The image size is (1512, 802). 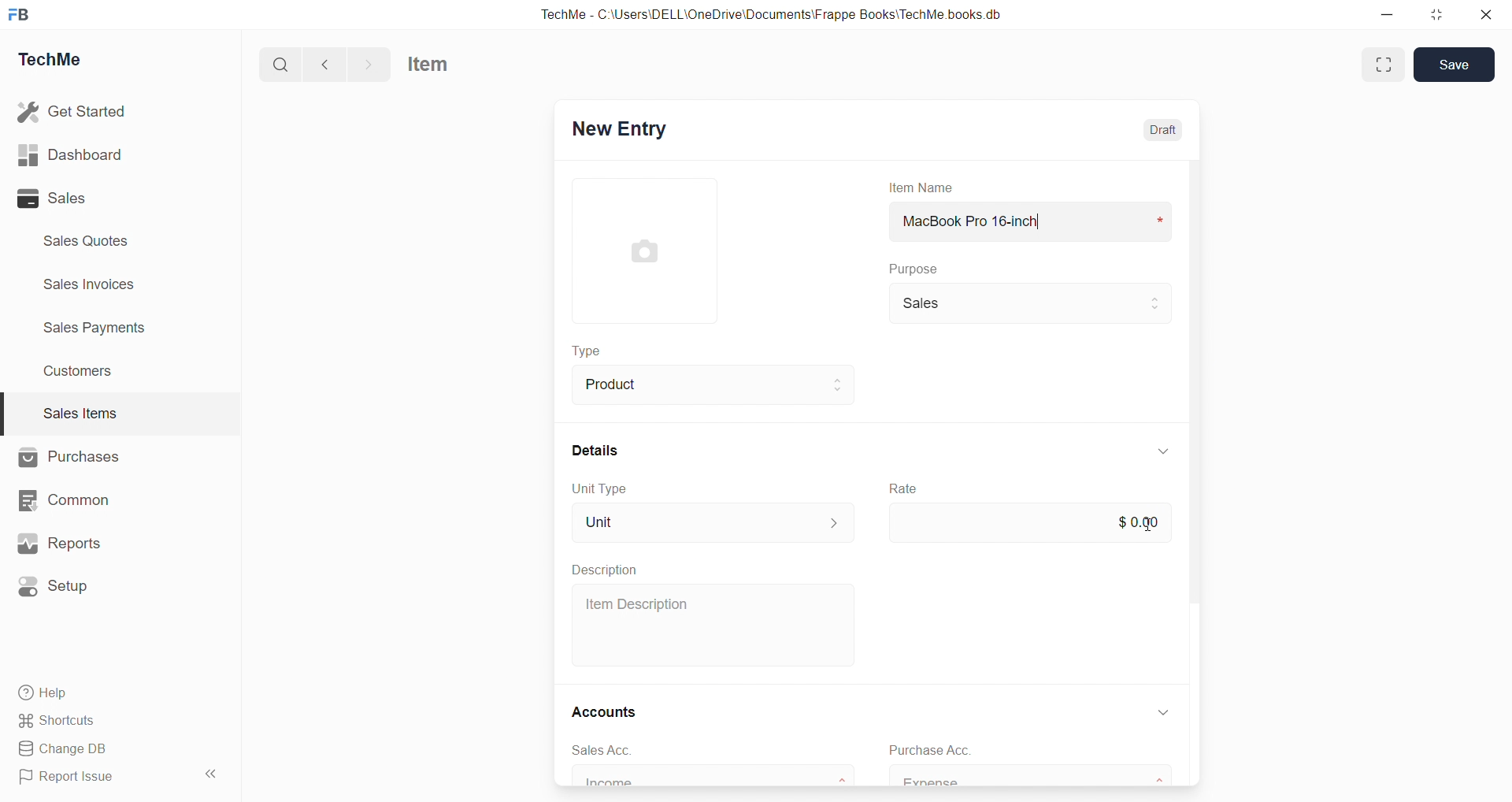 What do you see at coordinates (369, 64) in the screenshot?
I see `forward` at bounding box center [369, 64].